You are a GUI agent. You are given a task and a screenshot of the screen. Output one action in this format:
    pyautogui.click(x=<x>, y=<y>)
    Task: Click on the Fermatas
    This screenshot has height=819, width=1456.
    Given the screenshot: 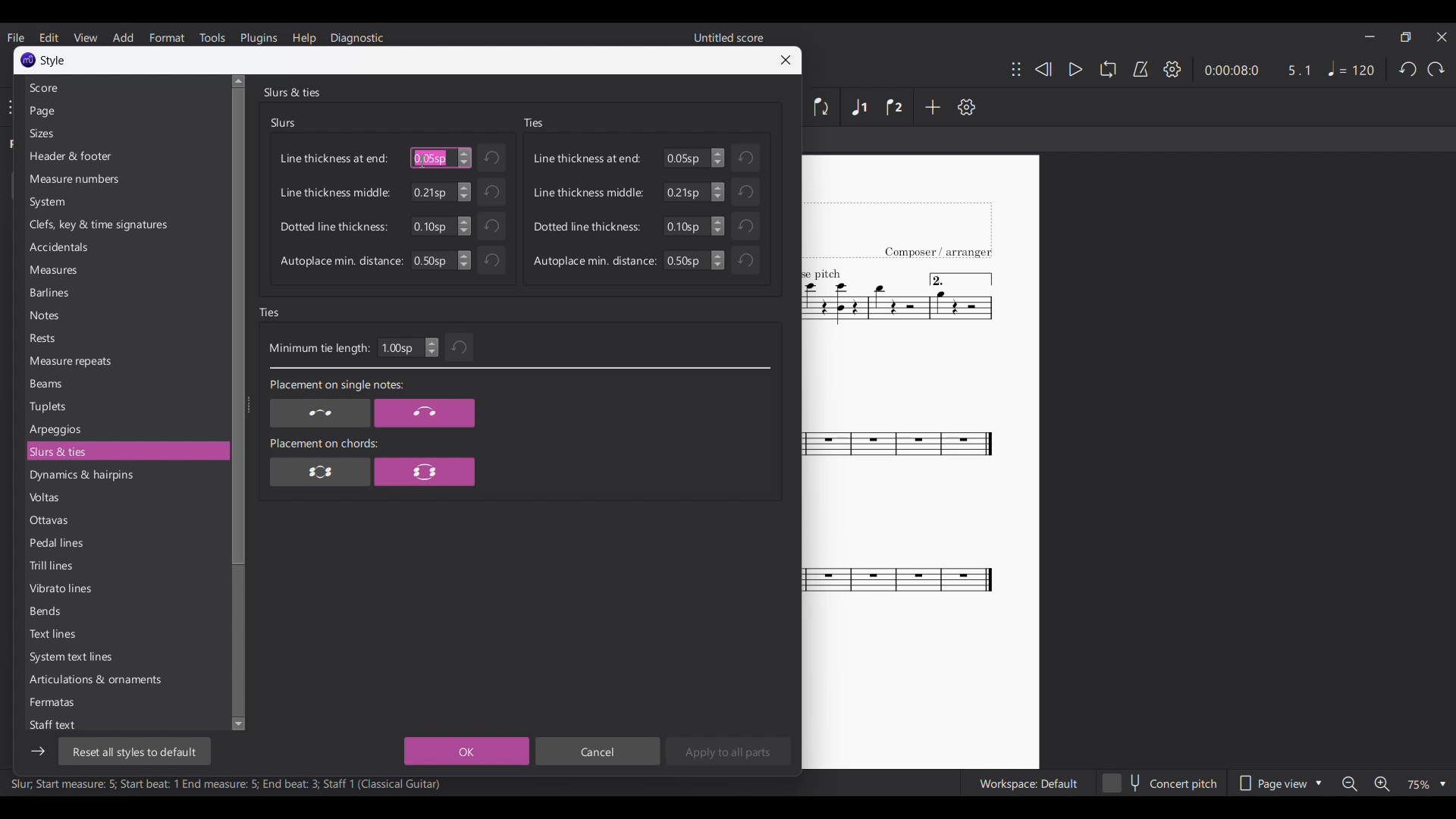 What is the action you would take?
    pyautogui.click(x=125, y=702)
    